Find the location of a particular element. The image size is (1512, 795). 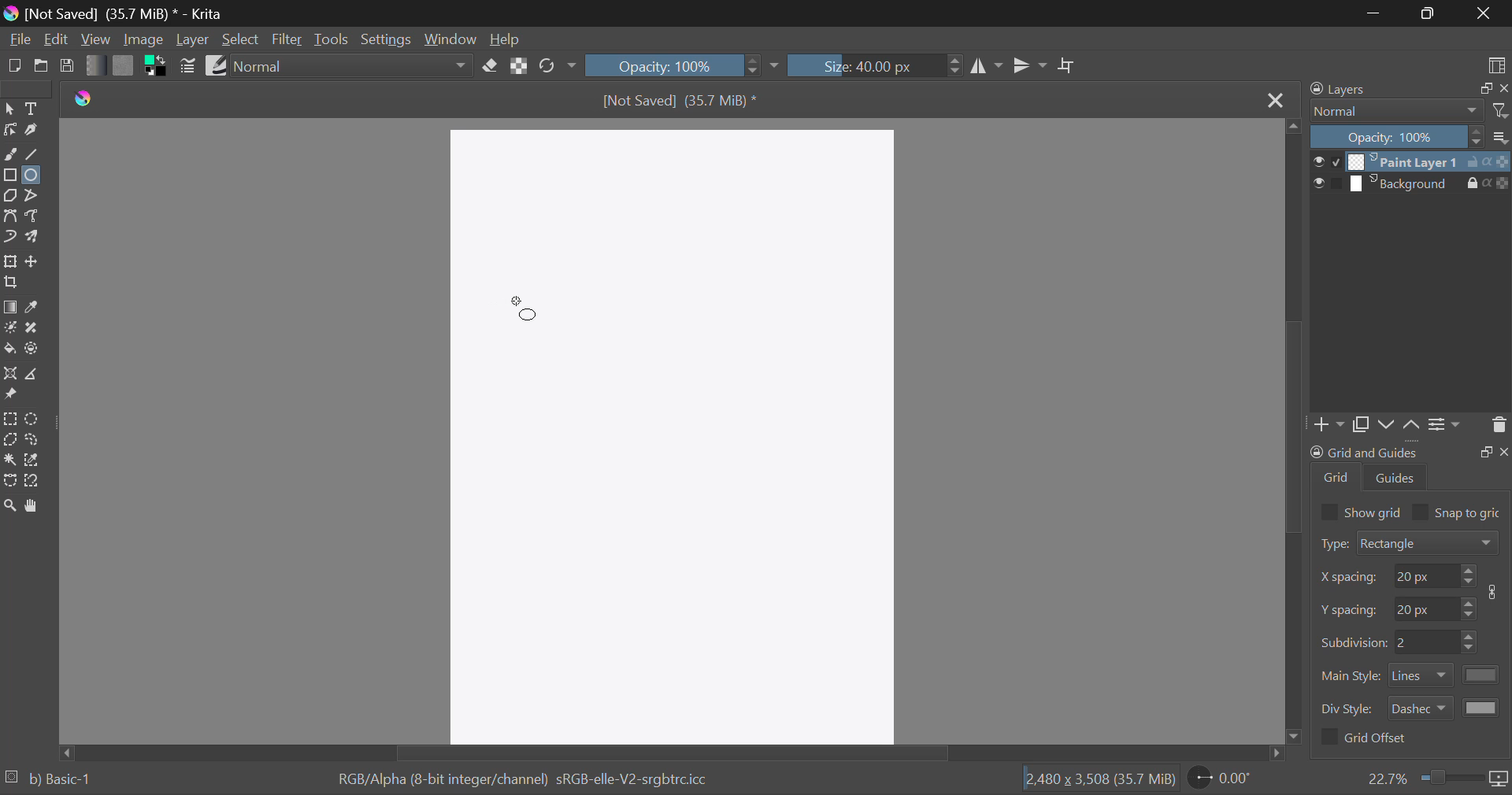

Tools is located at coordinates (332, 39).